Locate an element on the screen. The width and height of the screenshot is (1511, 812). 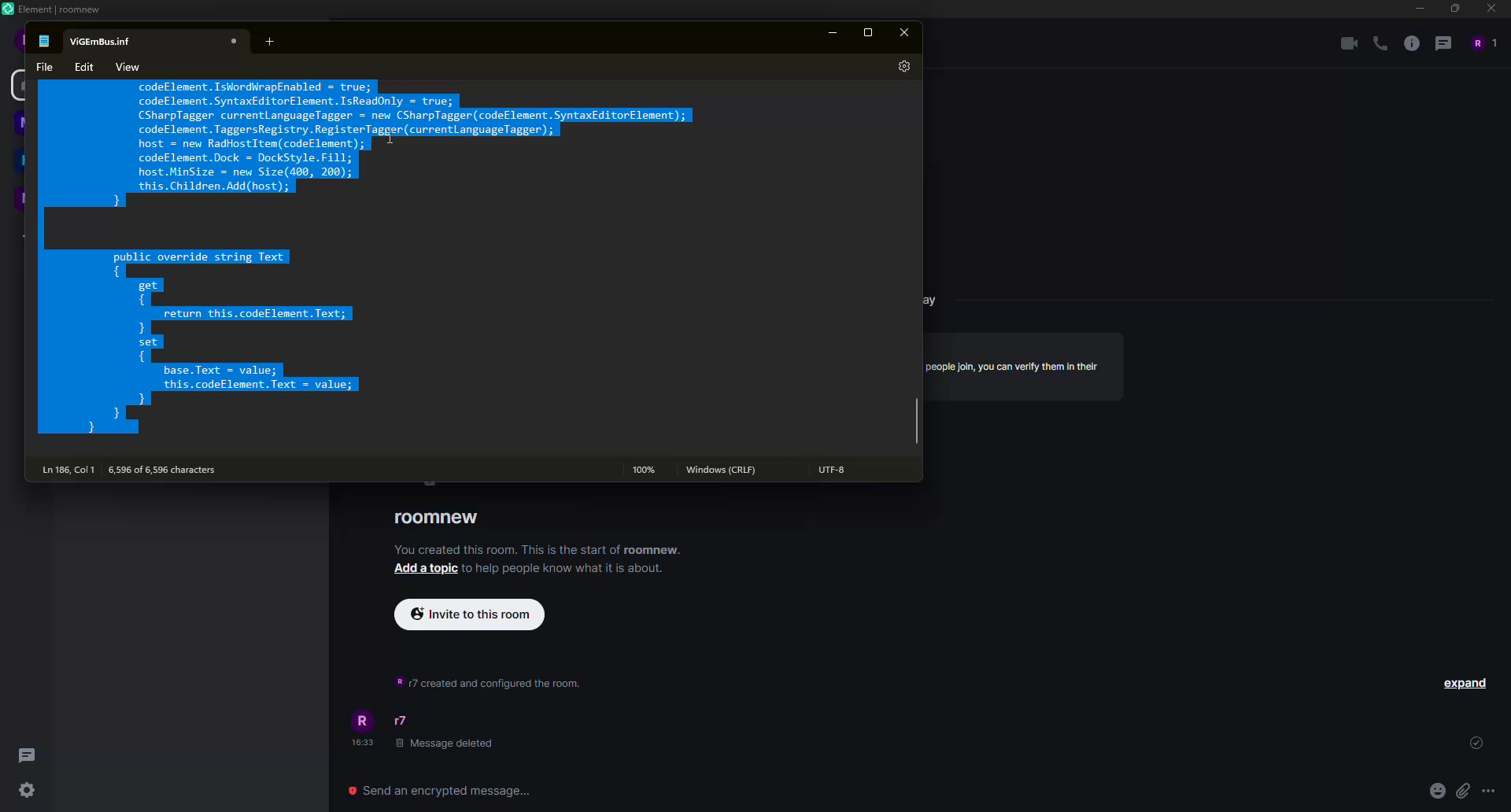
emoji is located at coordinates (1436, 790).